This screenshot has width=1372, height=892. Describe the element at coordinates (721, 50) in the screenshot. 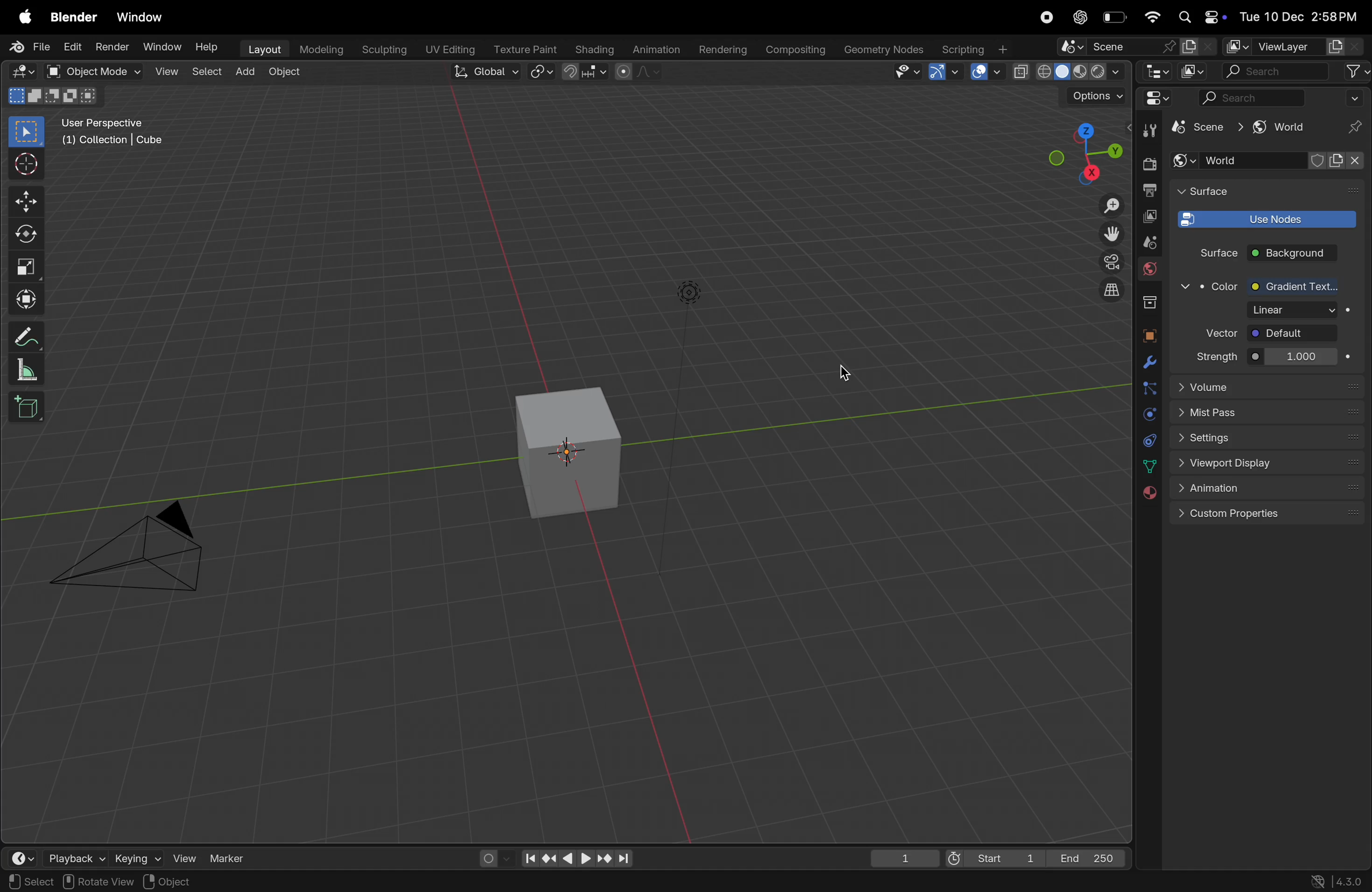

I see `rendering` at that location.